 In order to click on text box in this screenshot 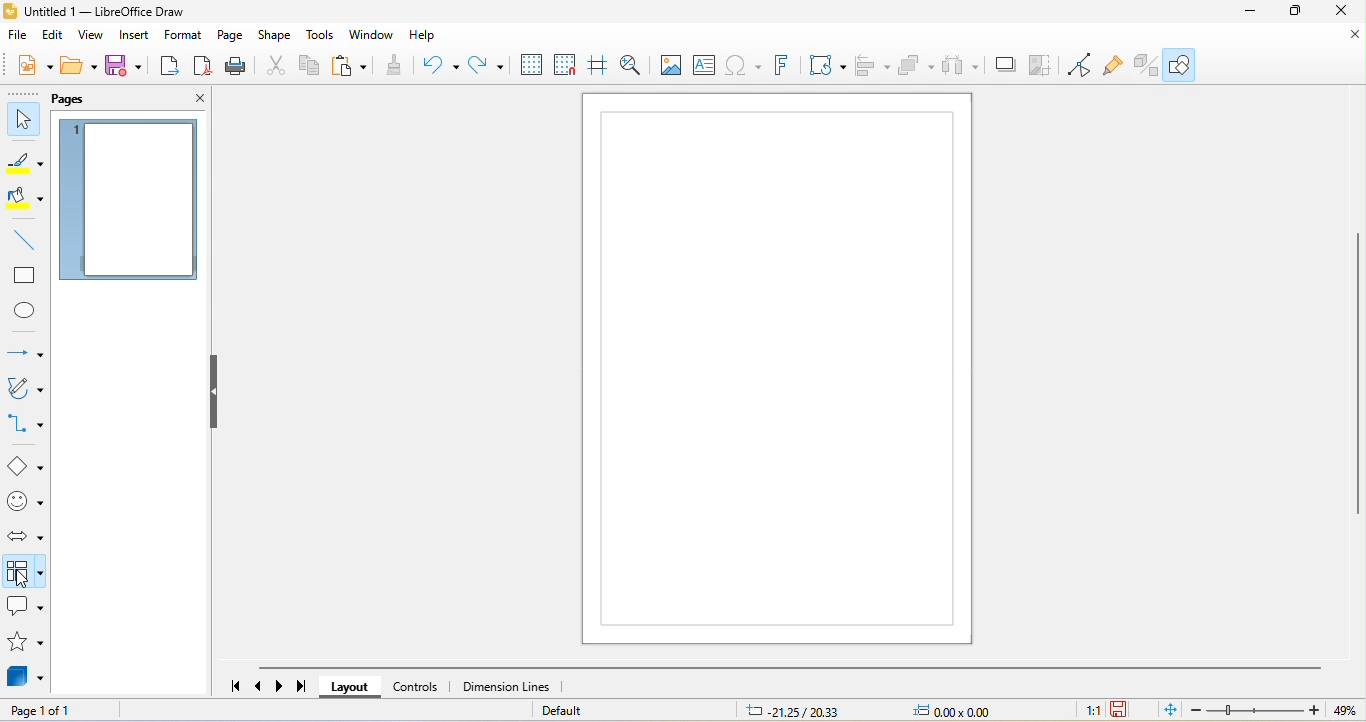, I will do `click(704, 65)`.